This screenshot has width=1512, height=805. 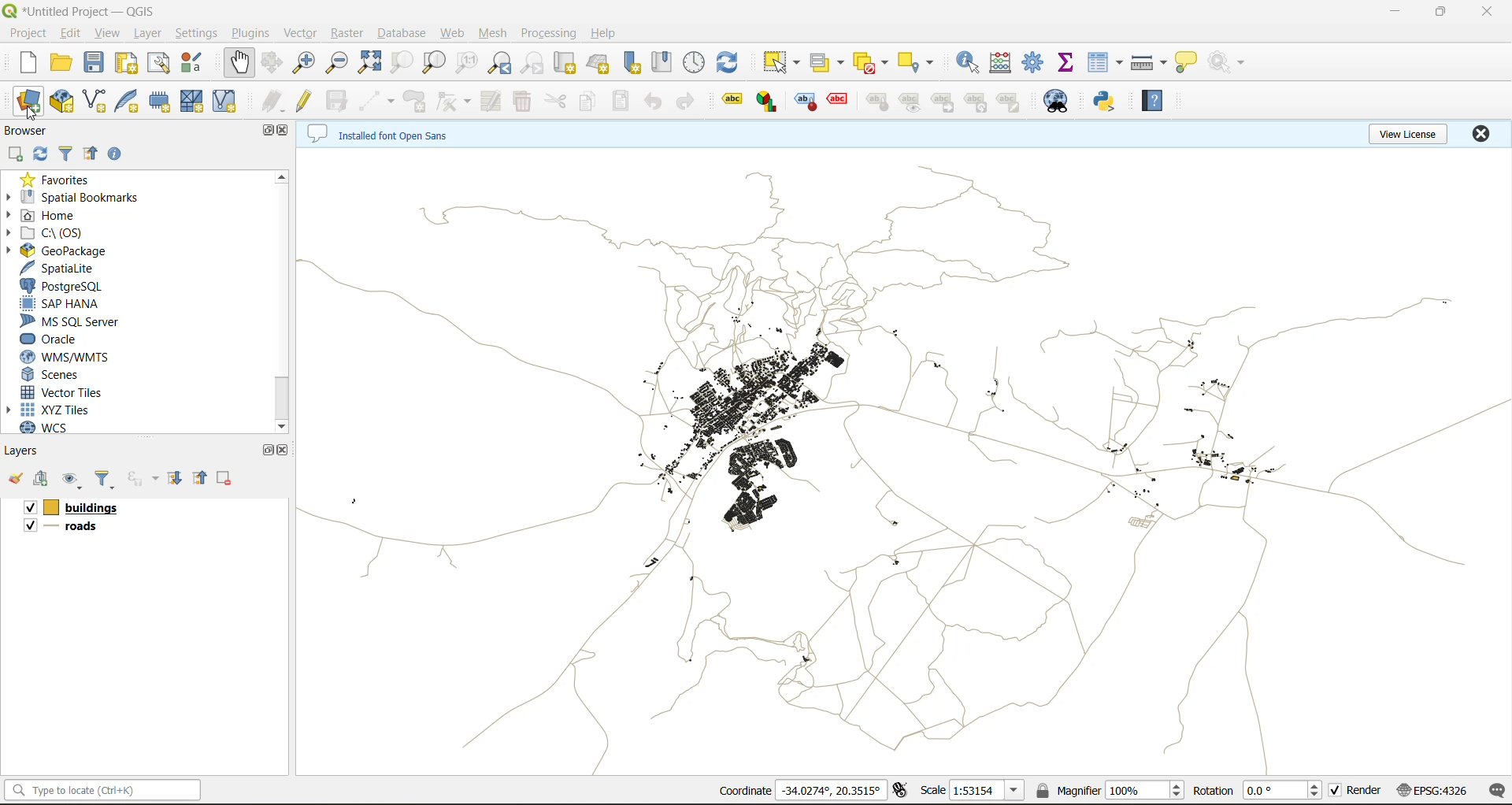 What do you see at coordinates (131, 99) in the screenshot?
I see `new spatialite layer` at bounding box center [131, 99].